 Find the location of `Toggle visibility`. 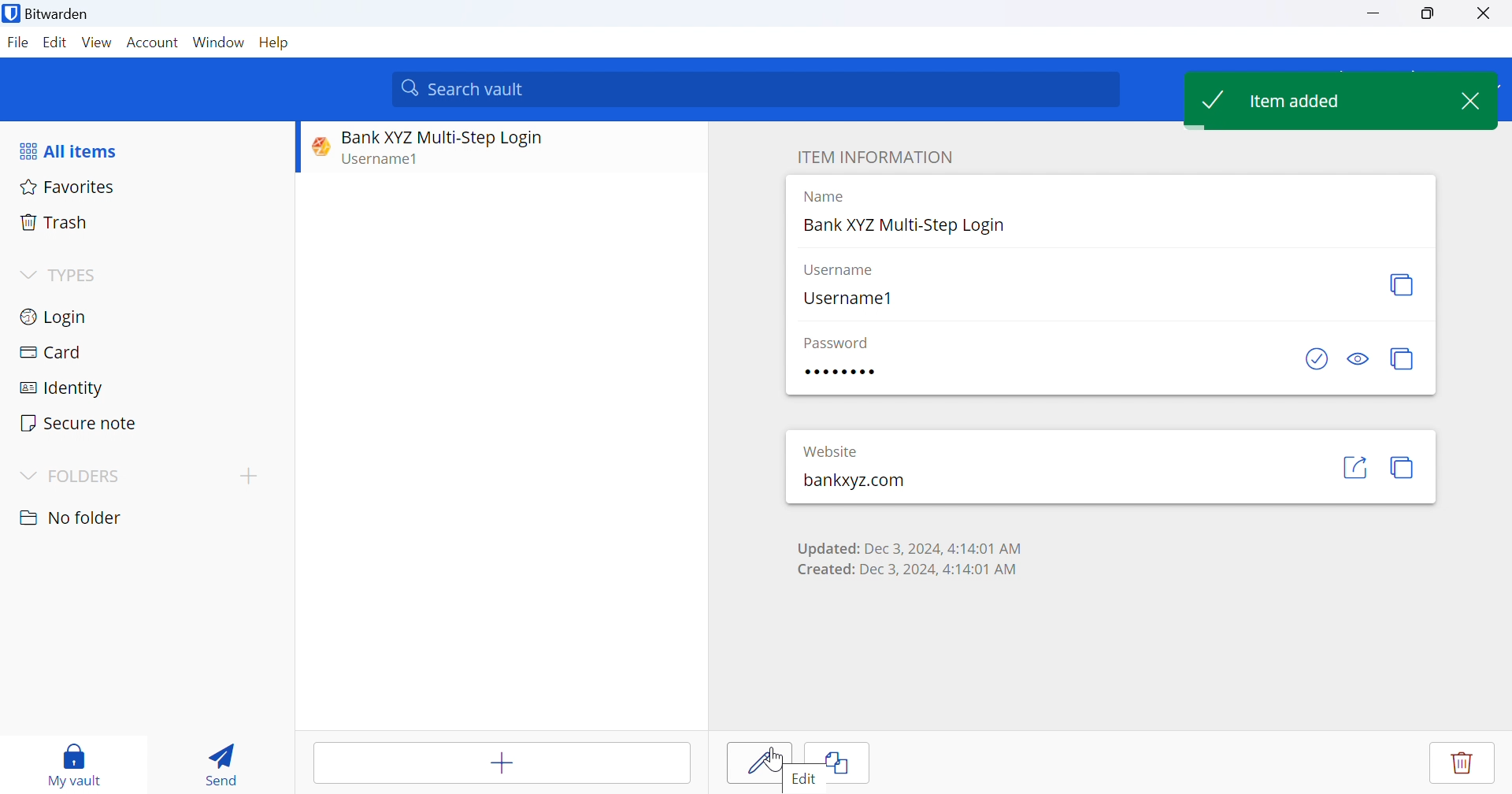

Toggle visibility is located at coordinates (1358, 361).